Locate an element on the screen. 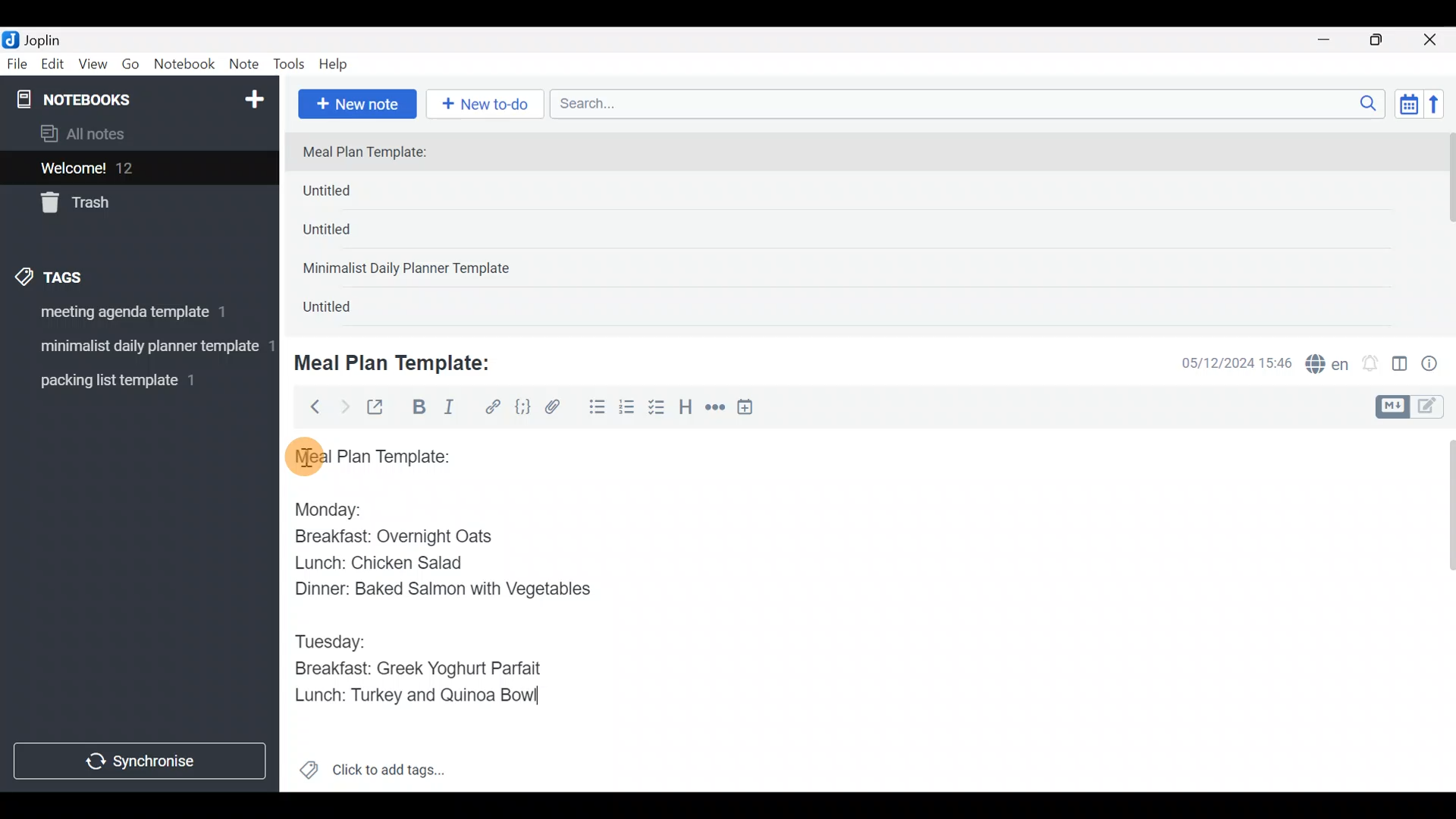  Edit is located at coordinates (53, 67).